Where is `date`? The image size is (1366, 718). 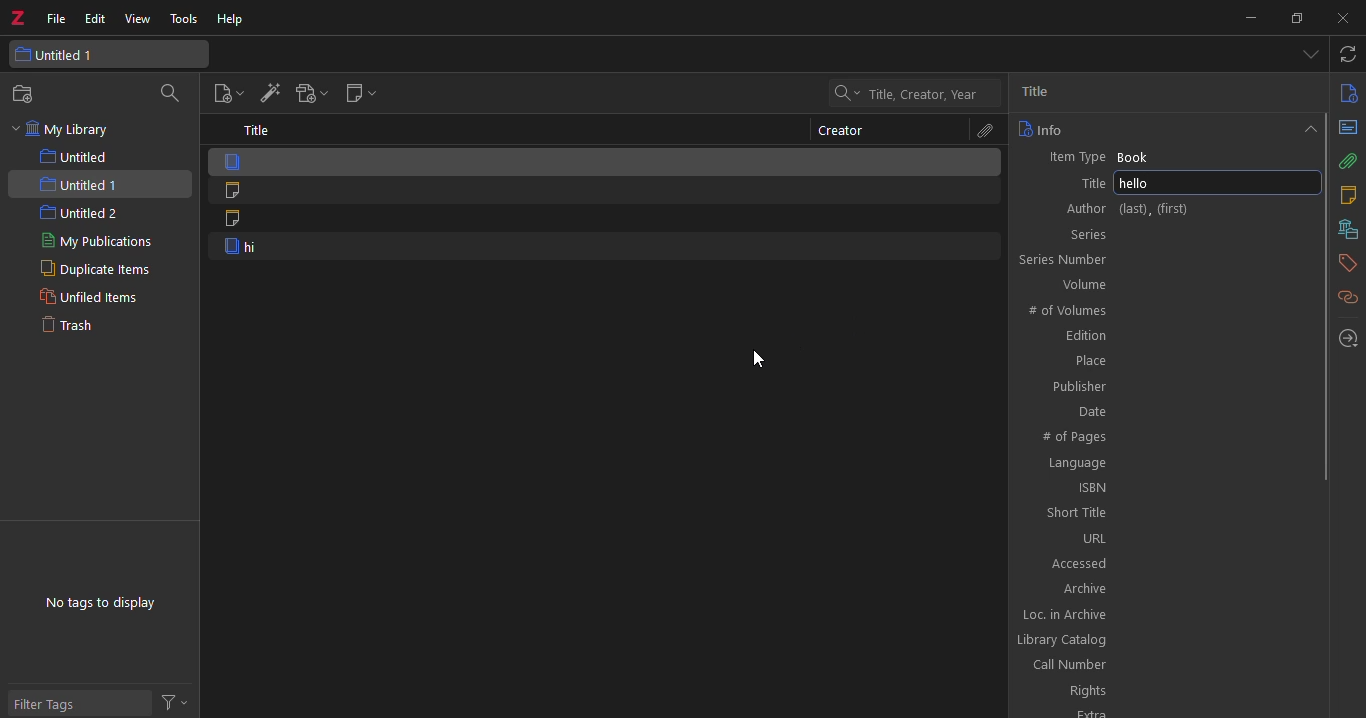
date is located at coordinates (1168, 410).